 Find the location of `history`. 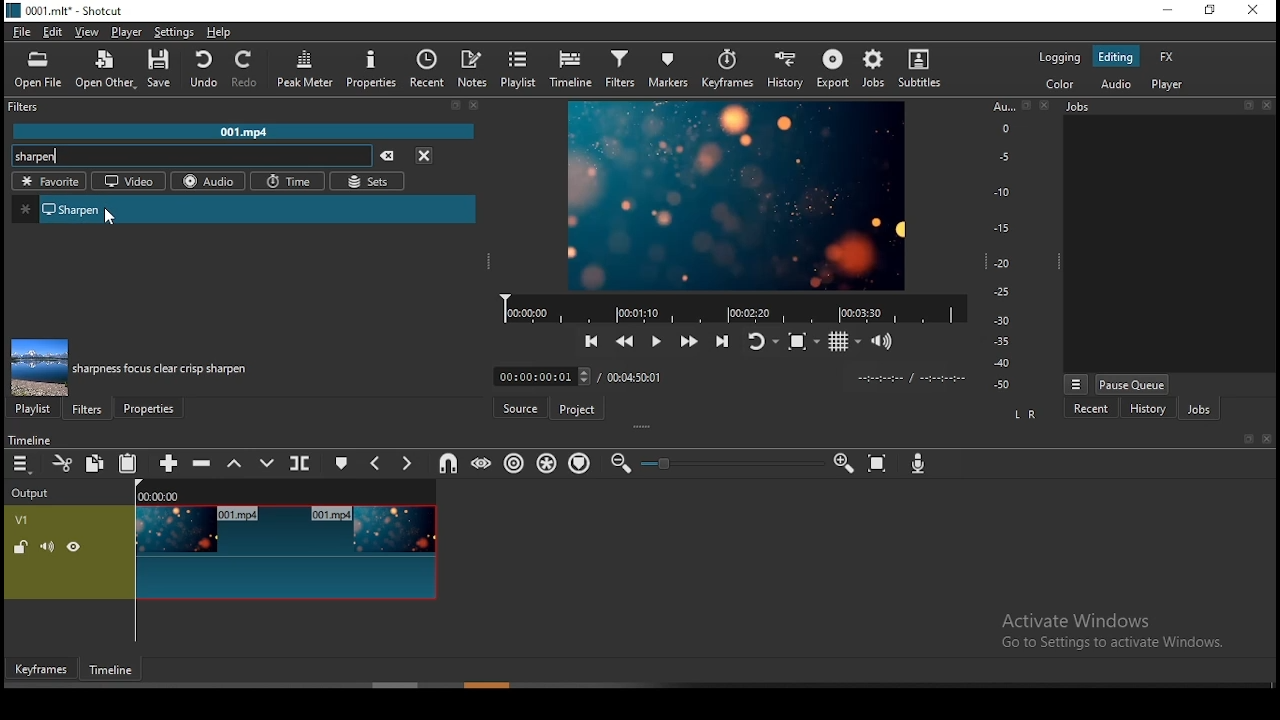

history is located at coordinates (1150, 408).